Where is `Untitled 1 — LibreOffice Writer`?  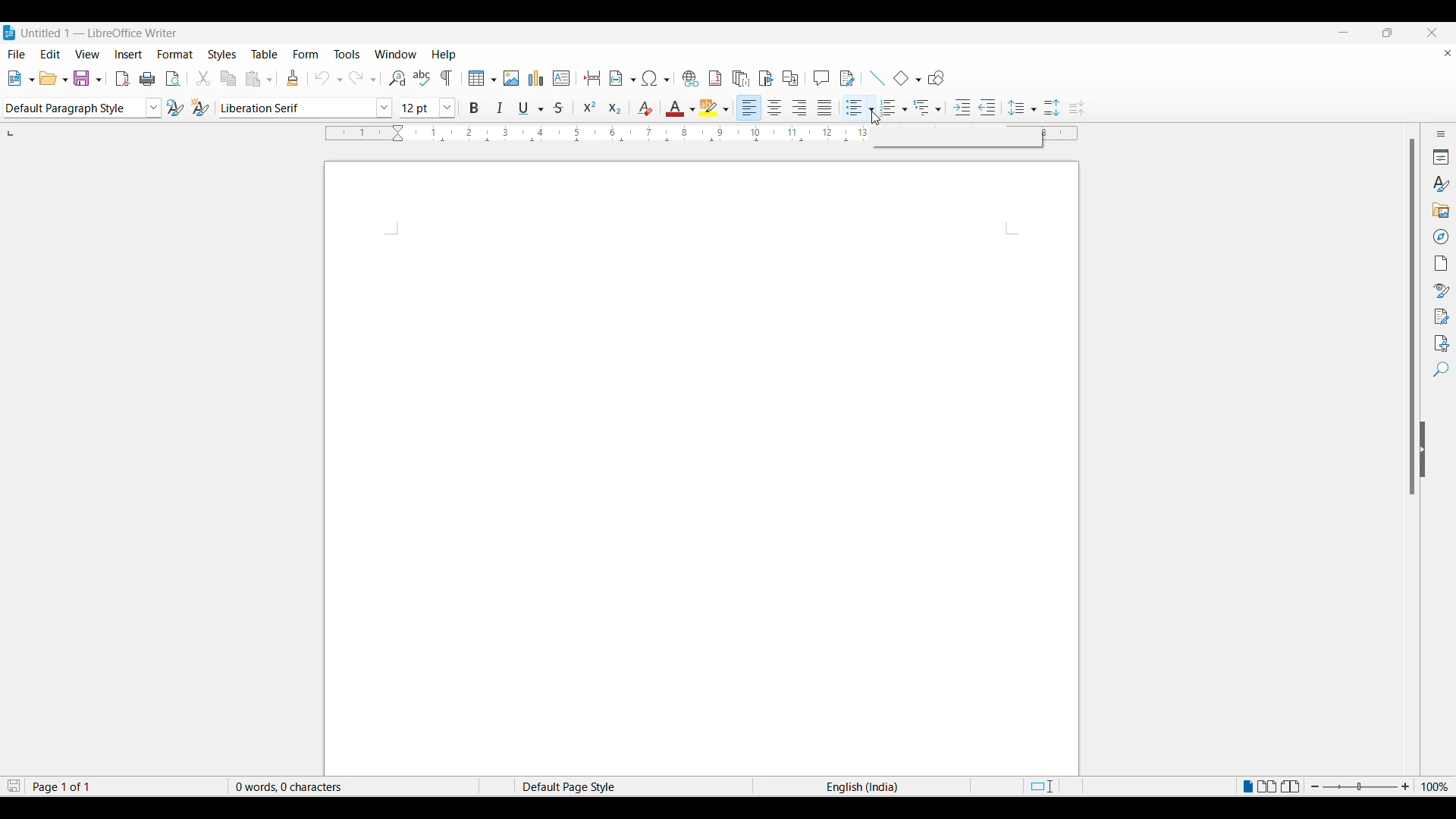
Untitled 1 — LibreOffice Writer is located at coordinates (91, 31).